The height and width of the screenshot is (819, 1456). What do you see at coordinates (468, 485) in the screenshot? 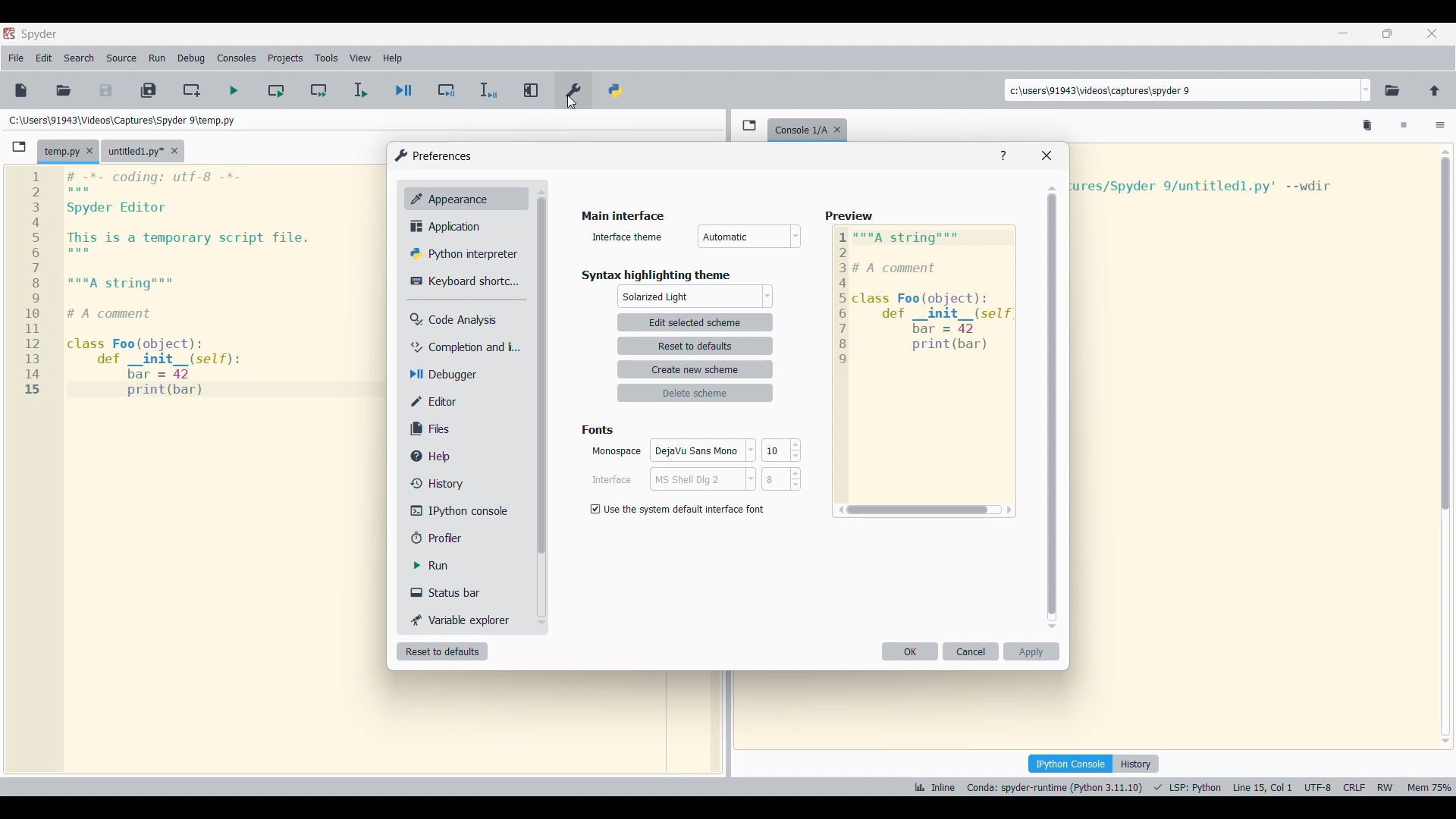
I see `History` at bounding box center [468, 485].